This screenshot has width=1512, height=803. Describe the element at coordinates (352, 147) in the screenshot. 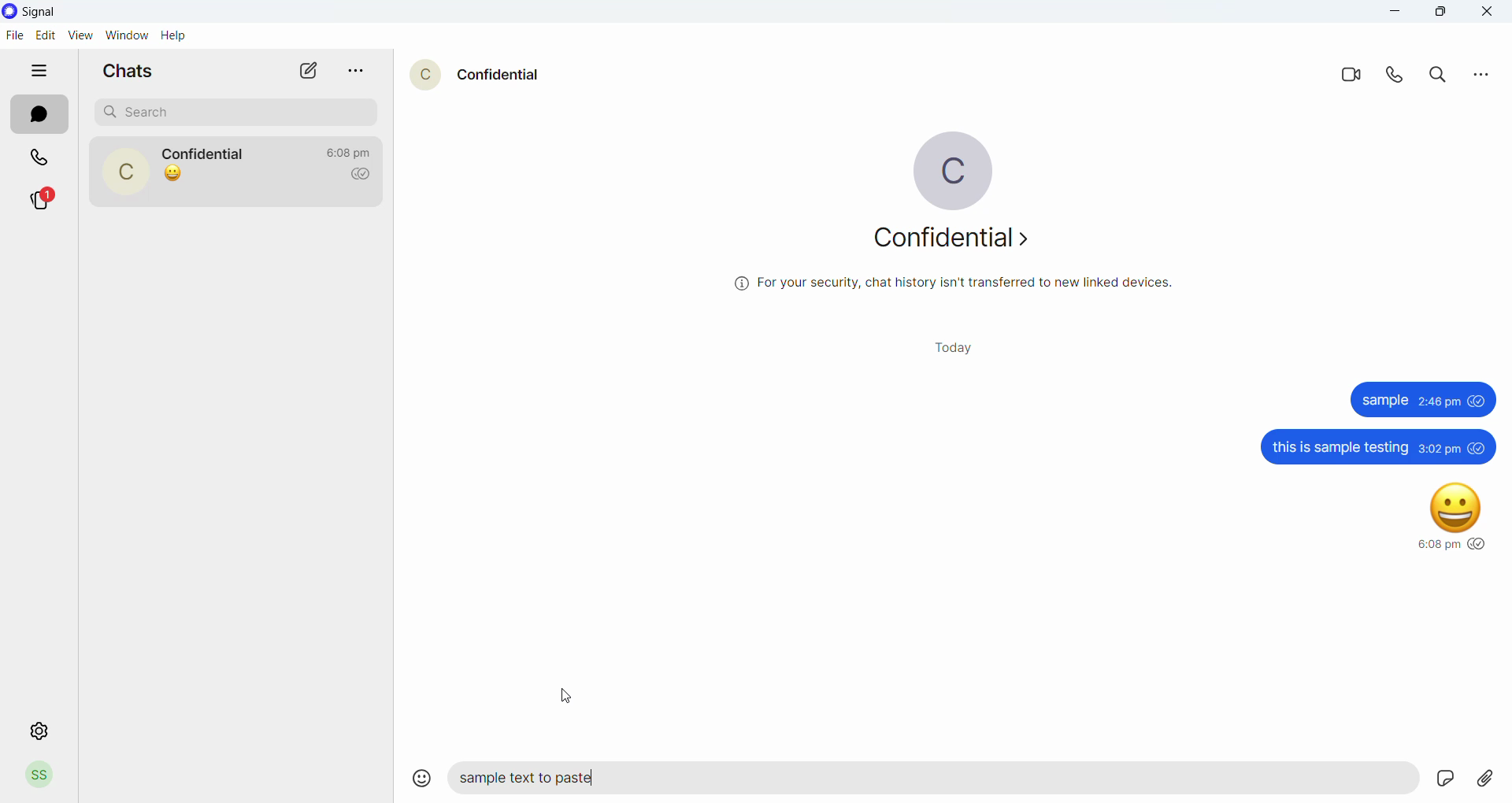

I see `last message time` at that location.